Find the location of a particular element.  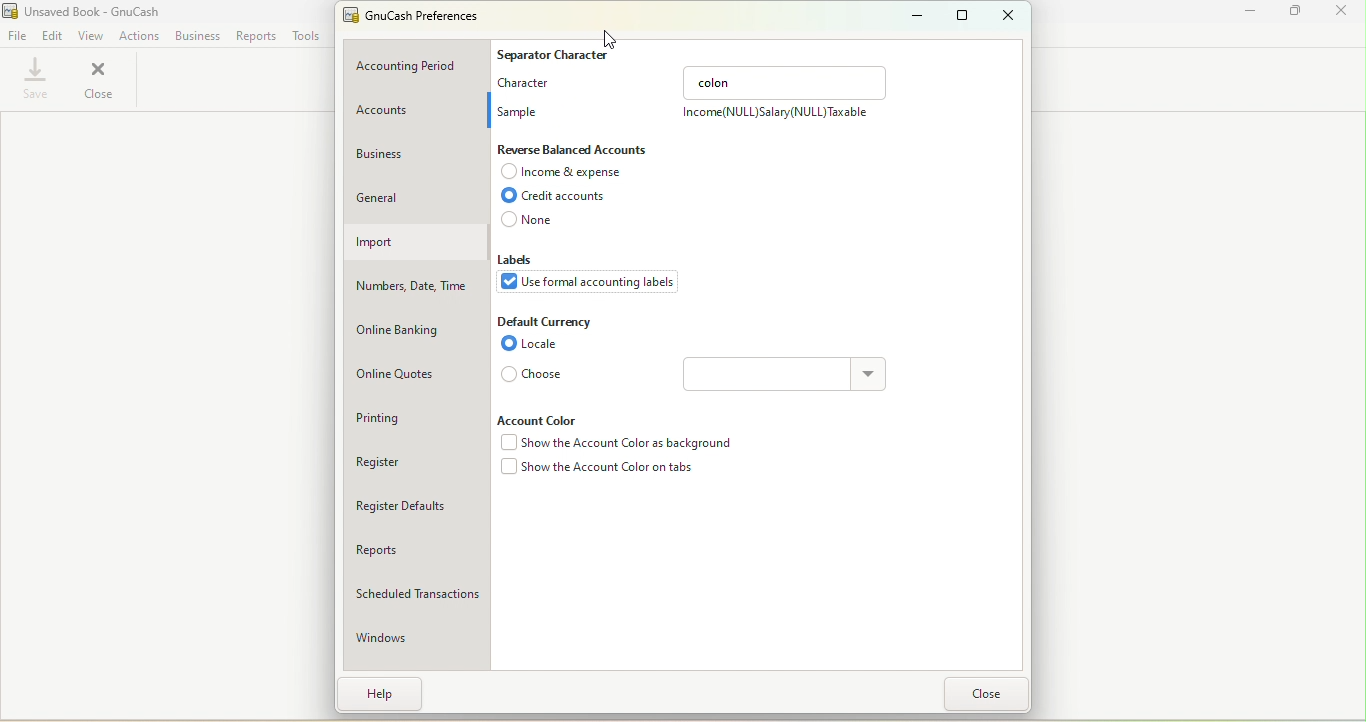

Sample is located at coordinates (521, 108).